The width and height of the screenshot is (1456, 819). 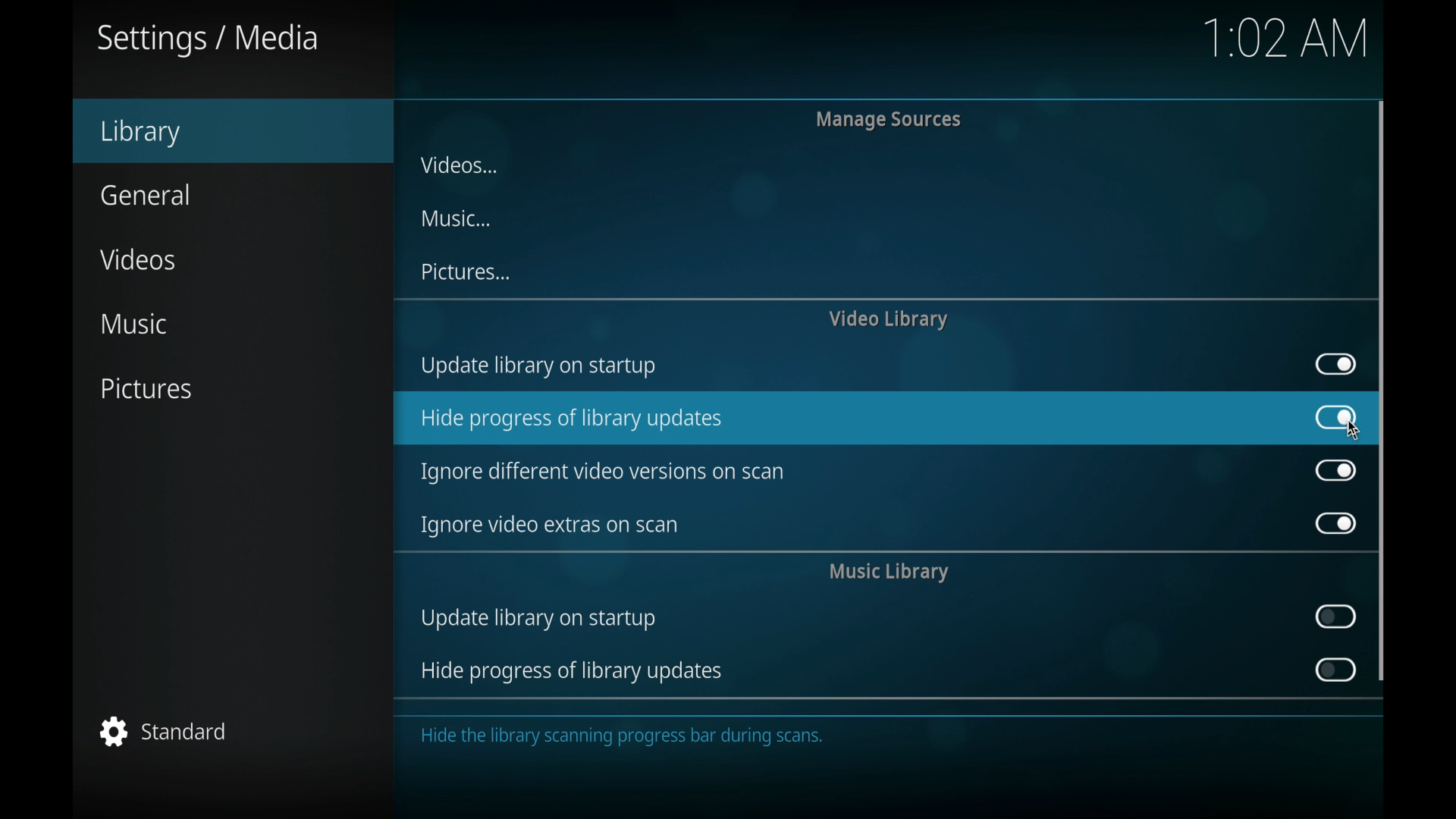 What do you see at coordinates (1337, 670) in the screenshot?
I see `toggle button` at bounding box center [1337, 670].